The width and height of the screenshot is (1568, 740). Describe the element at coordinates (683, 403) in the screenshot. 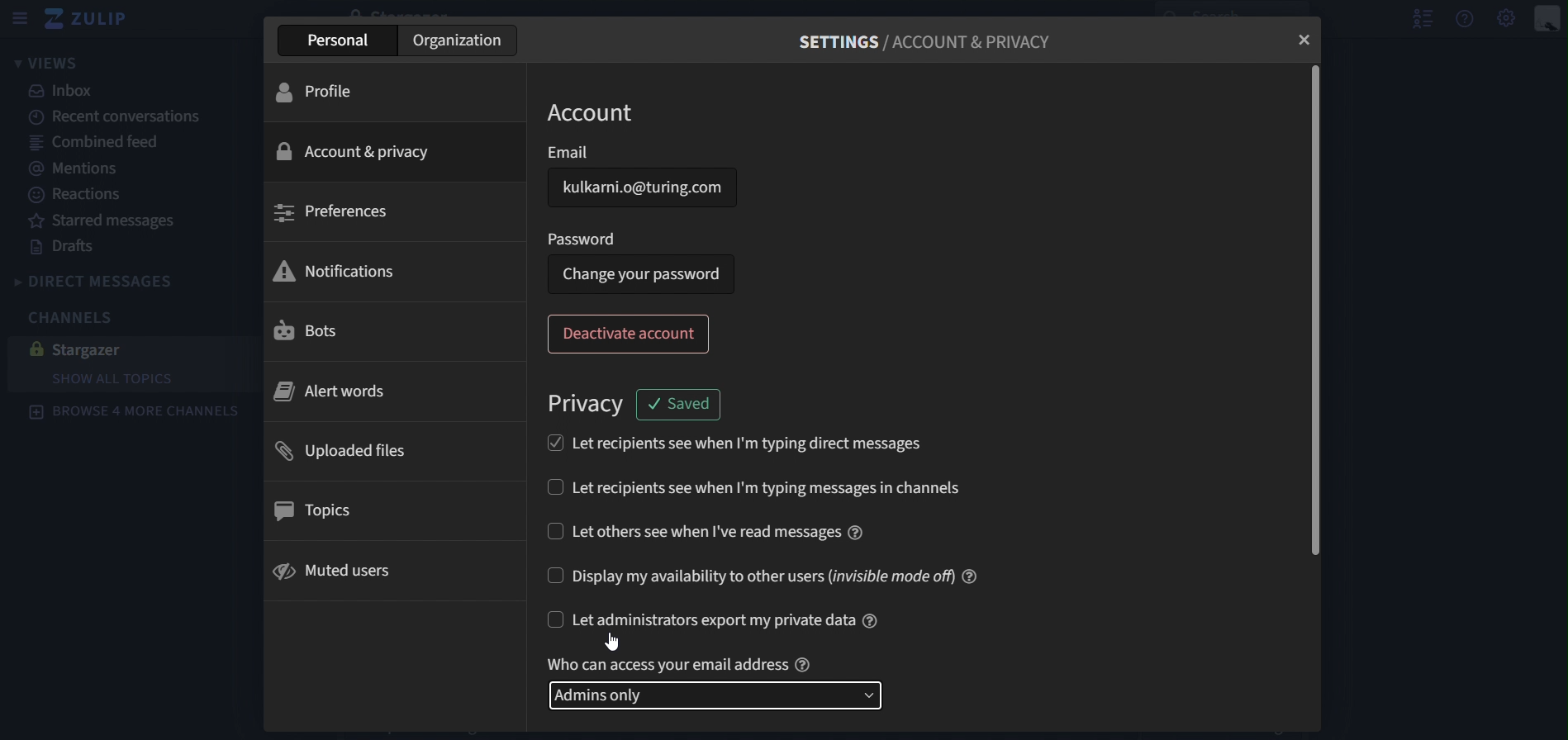

I see `saved` at that location.